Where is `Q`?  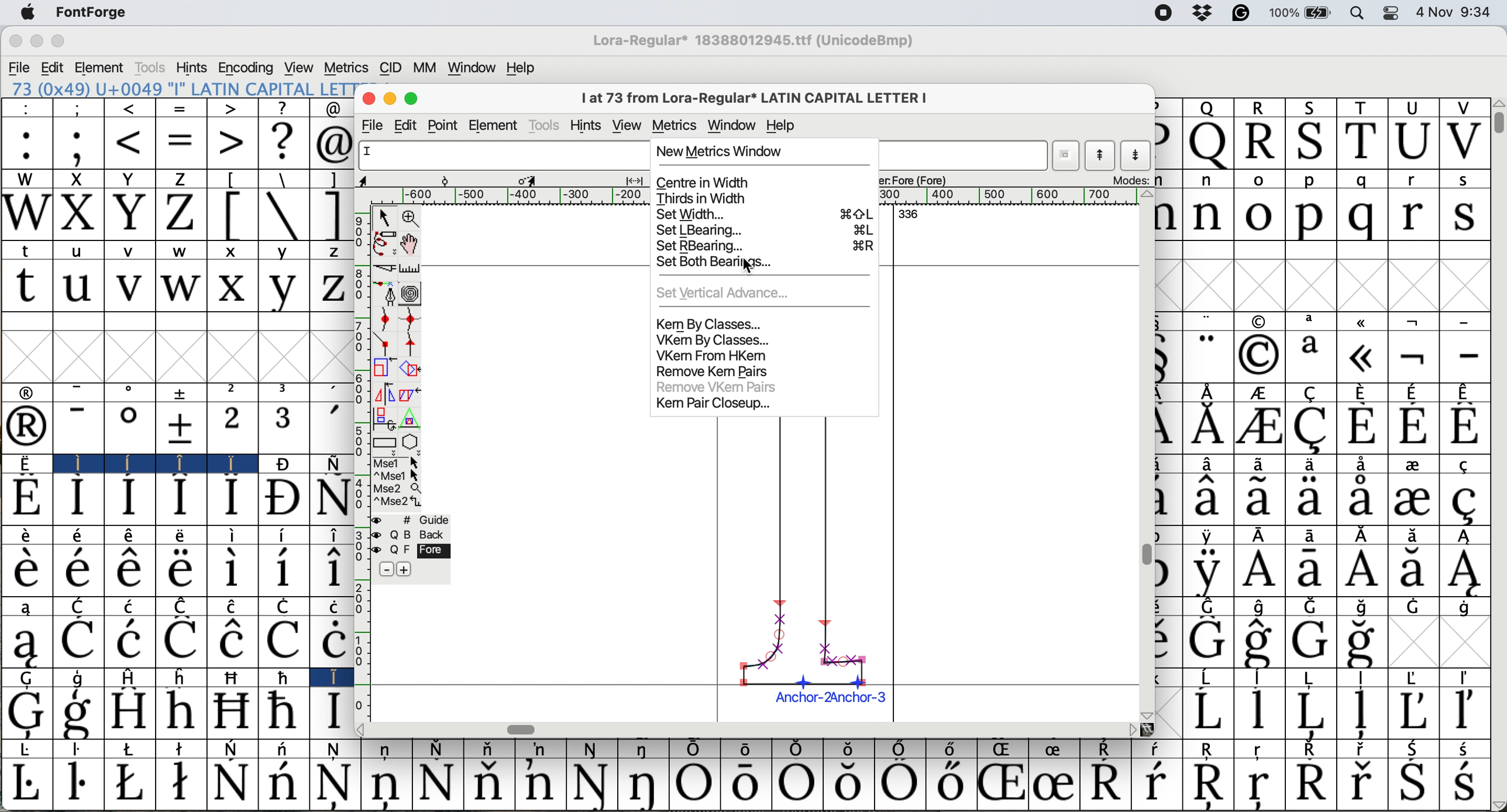
Q is located at coordinates (1207, 107).